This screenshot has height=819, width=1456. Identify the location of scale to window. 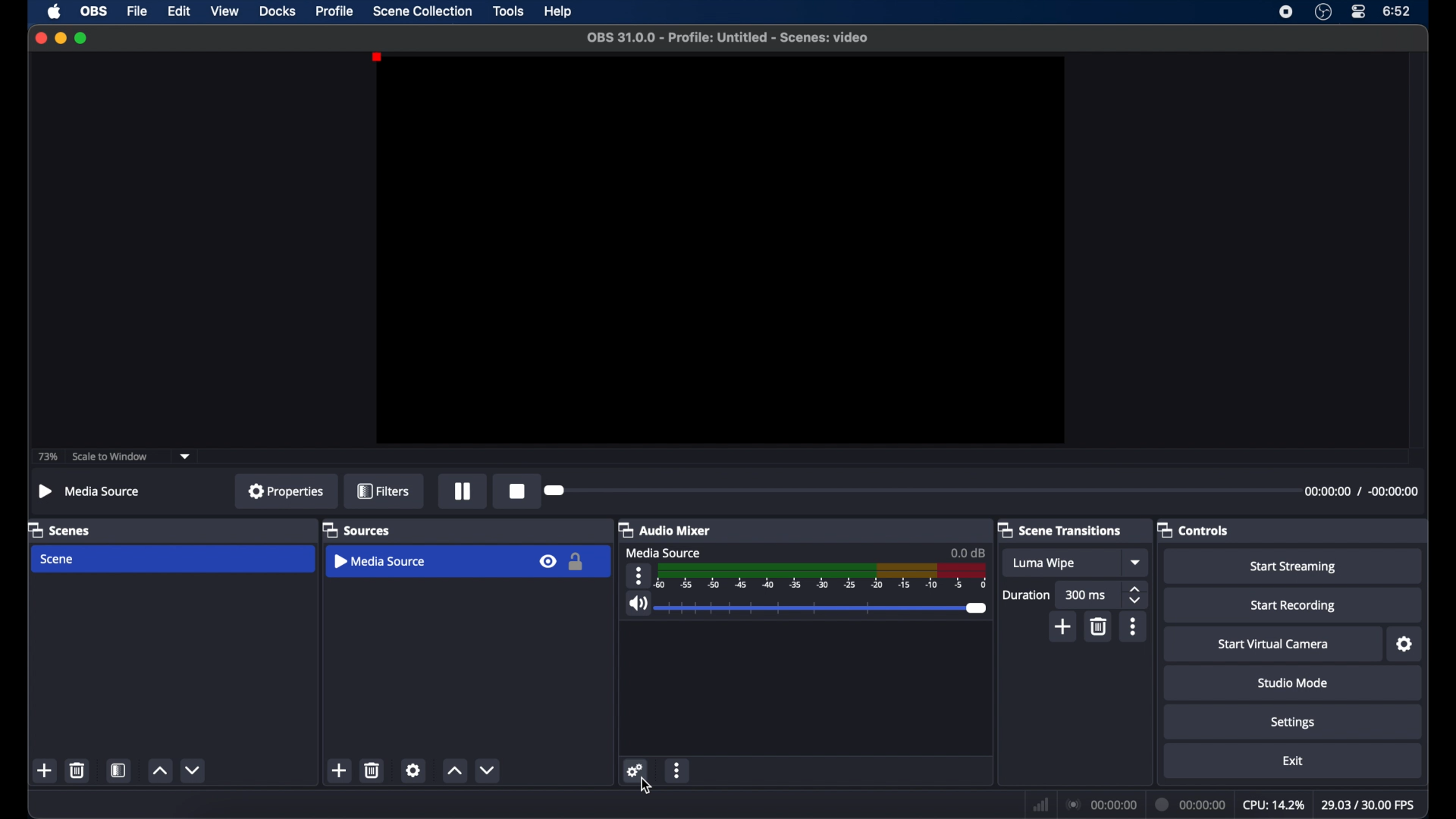
(109, 457).